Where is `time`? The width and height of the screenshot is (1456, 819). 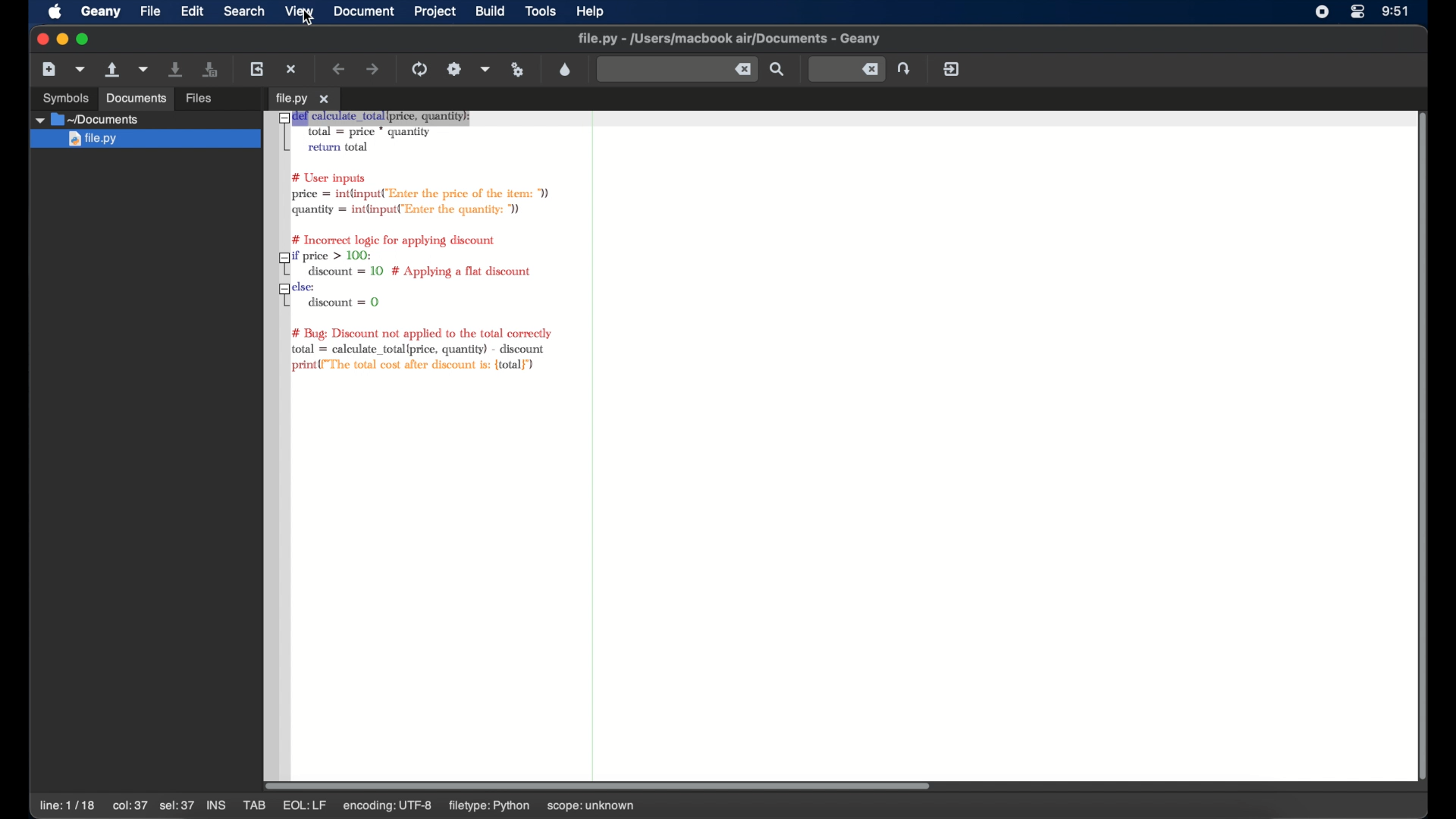 time is located at coordinates (1396, 11).